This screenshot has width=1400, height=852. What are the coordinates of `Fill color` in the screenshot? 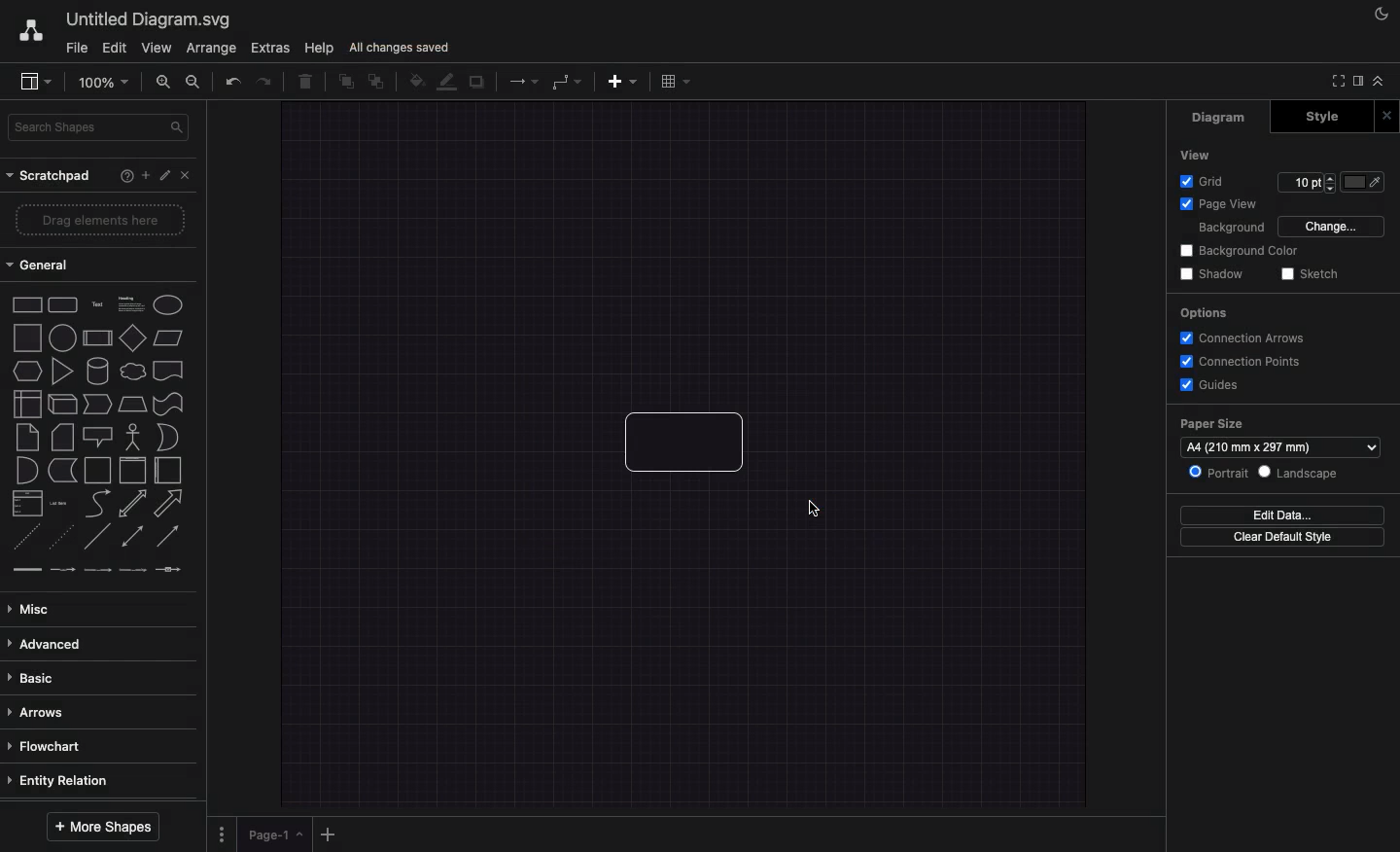 It's located at (419, 81).